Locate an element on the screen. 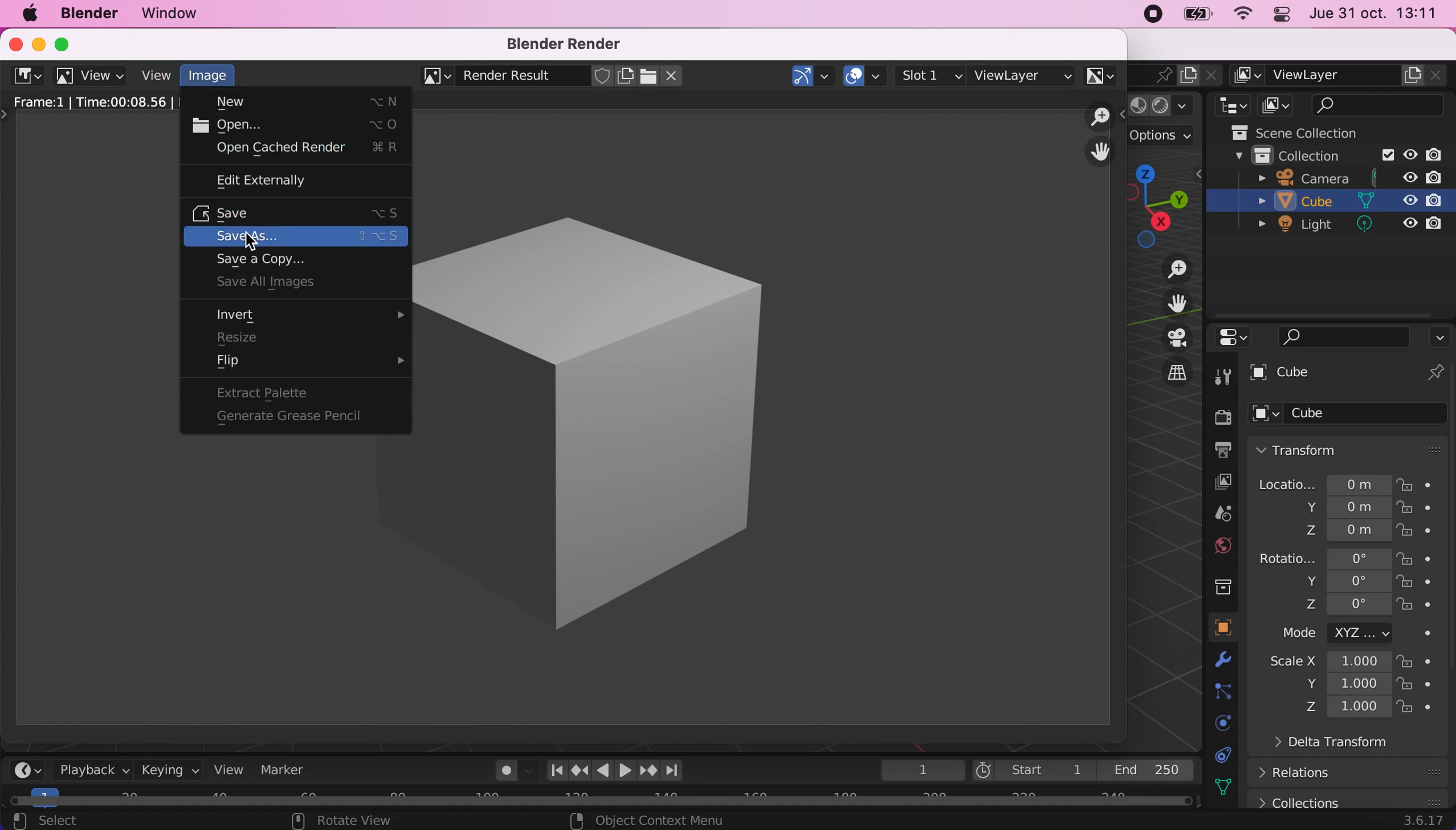  scene collections is located at coordinates (1316, 131).